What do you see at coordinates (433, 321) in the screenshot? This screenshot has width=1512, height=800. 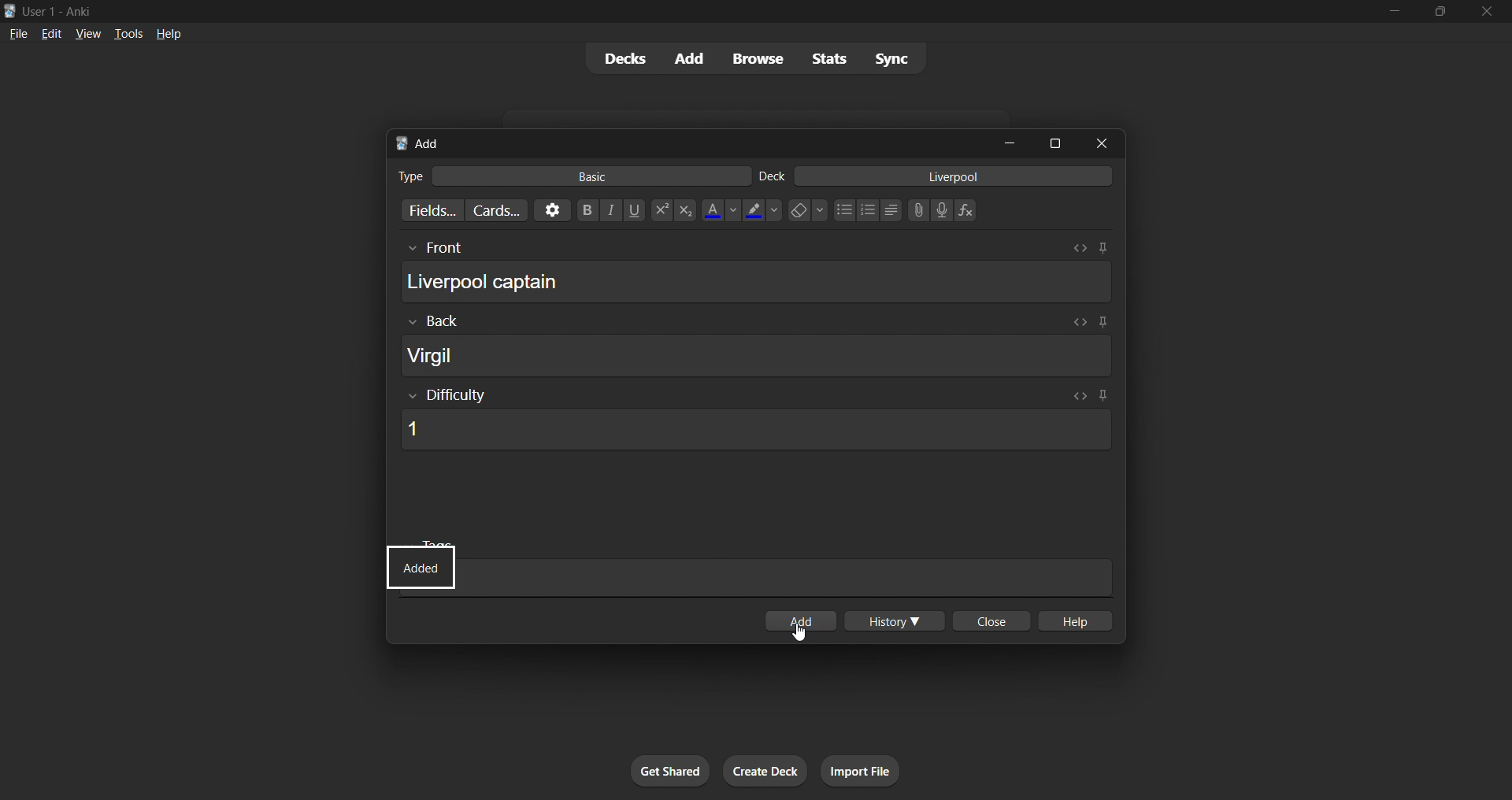 I see `` at bounding box center [433, 321].